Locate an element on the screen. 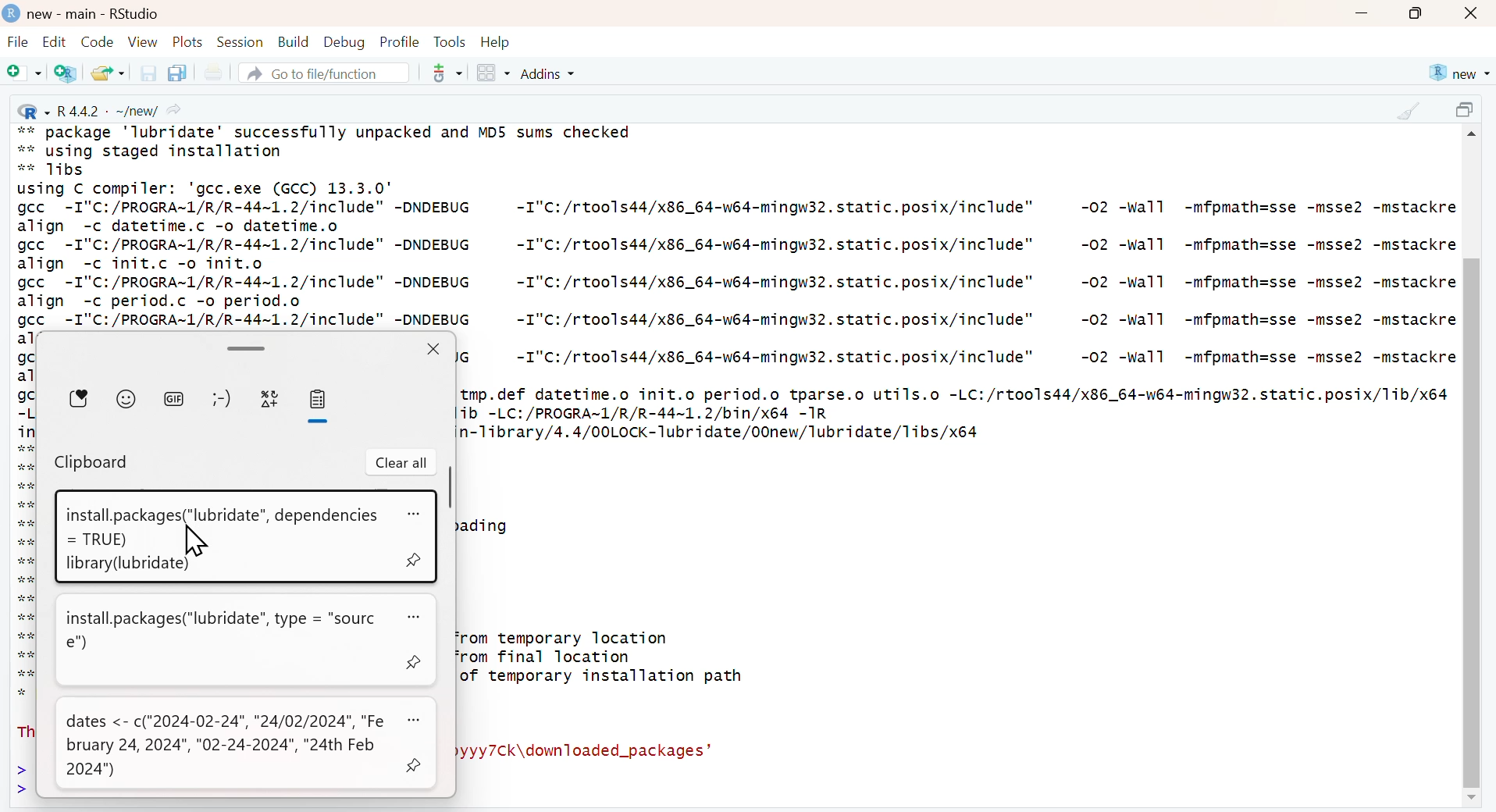 The width and height of the screenshot is (1496, 812). New file is located at coordinates (25, 74).